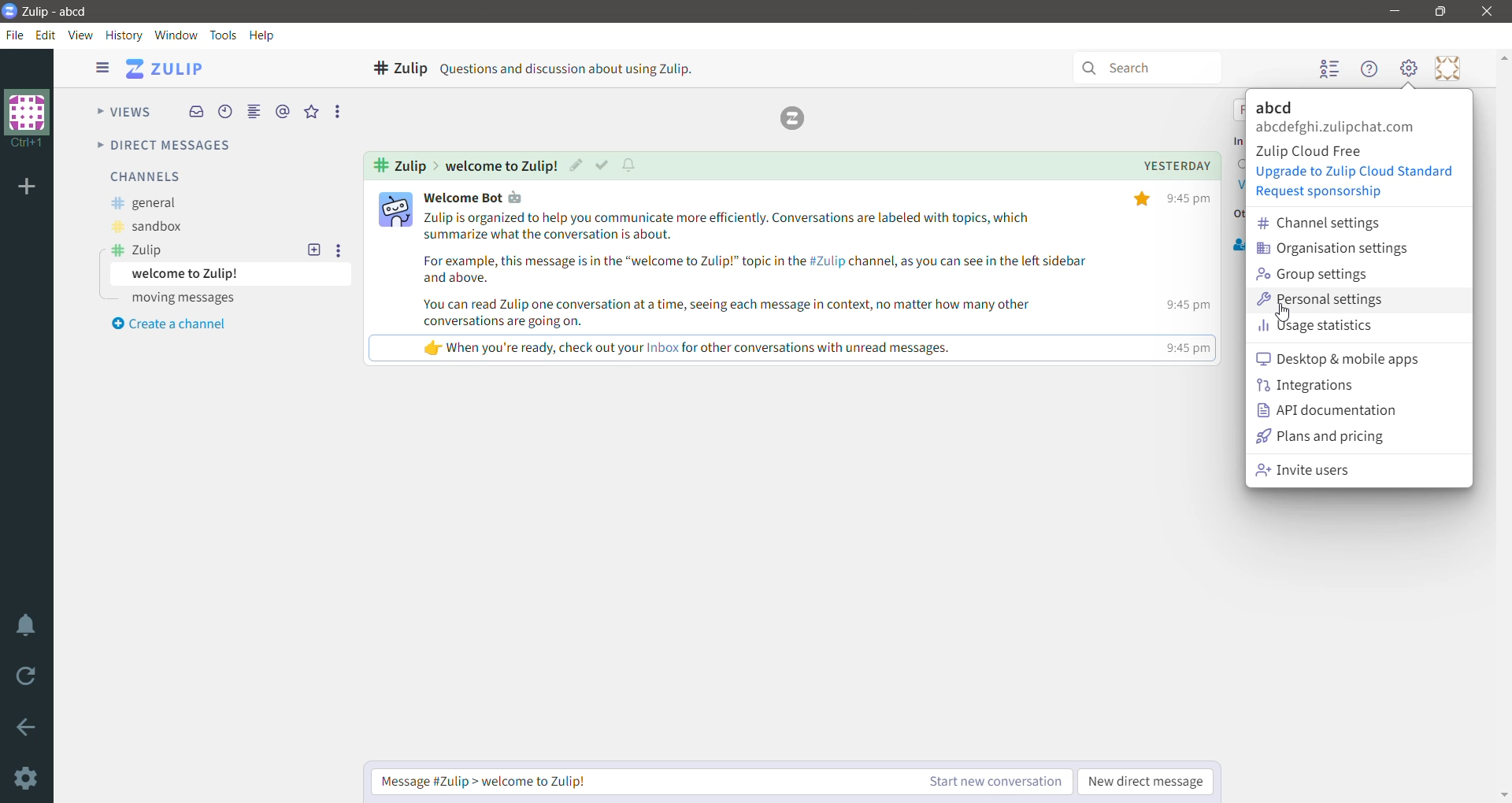 The width and height of the screenshot is (1512, 803). What do you see at coordinates (503, 165) in the screenshot?
I see `Welcome to Zulip(Message Topic)` at bounding box center [503, 165].